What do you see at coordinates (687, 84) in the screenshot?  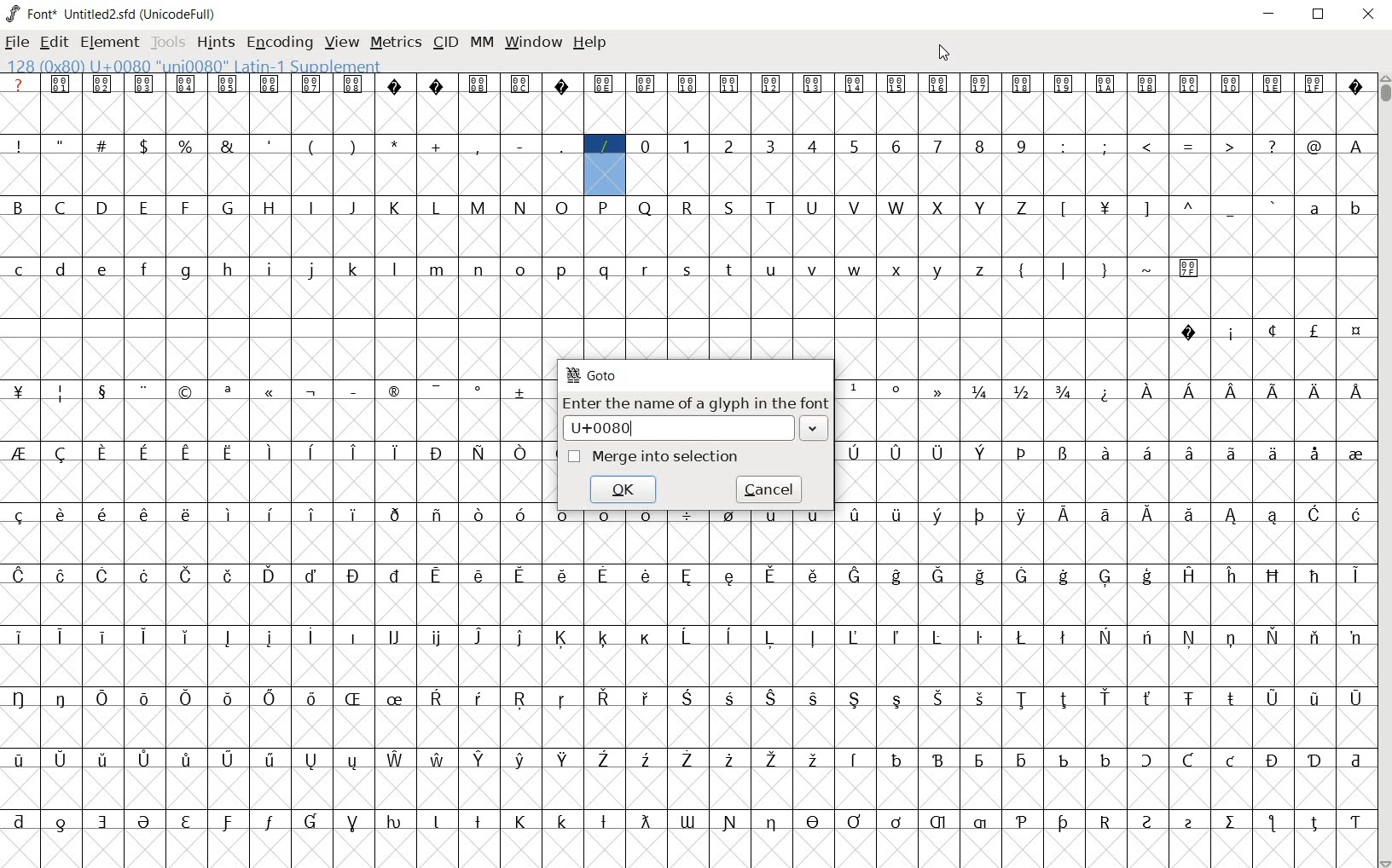 I see `glyph` at bounding box center [687, 84].